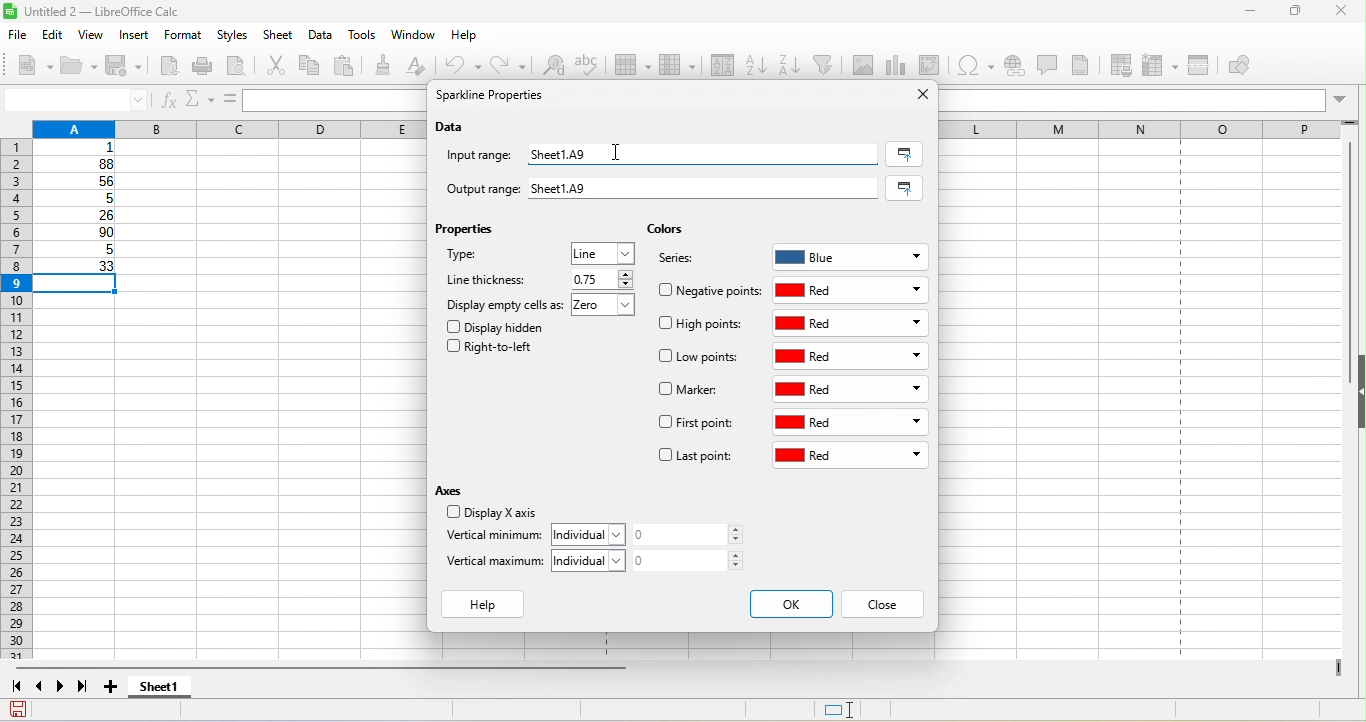 Image resolution: width=1366 pixels, height=722 pixels. I want to click on 26, so click(79, 216).